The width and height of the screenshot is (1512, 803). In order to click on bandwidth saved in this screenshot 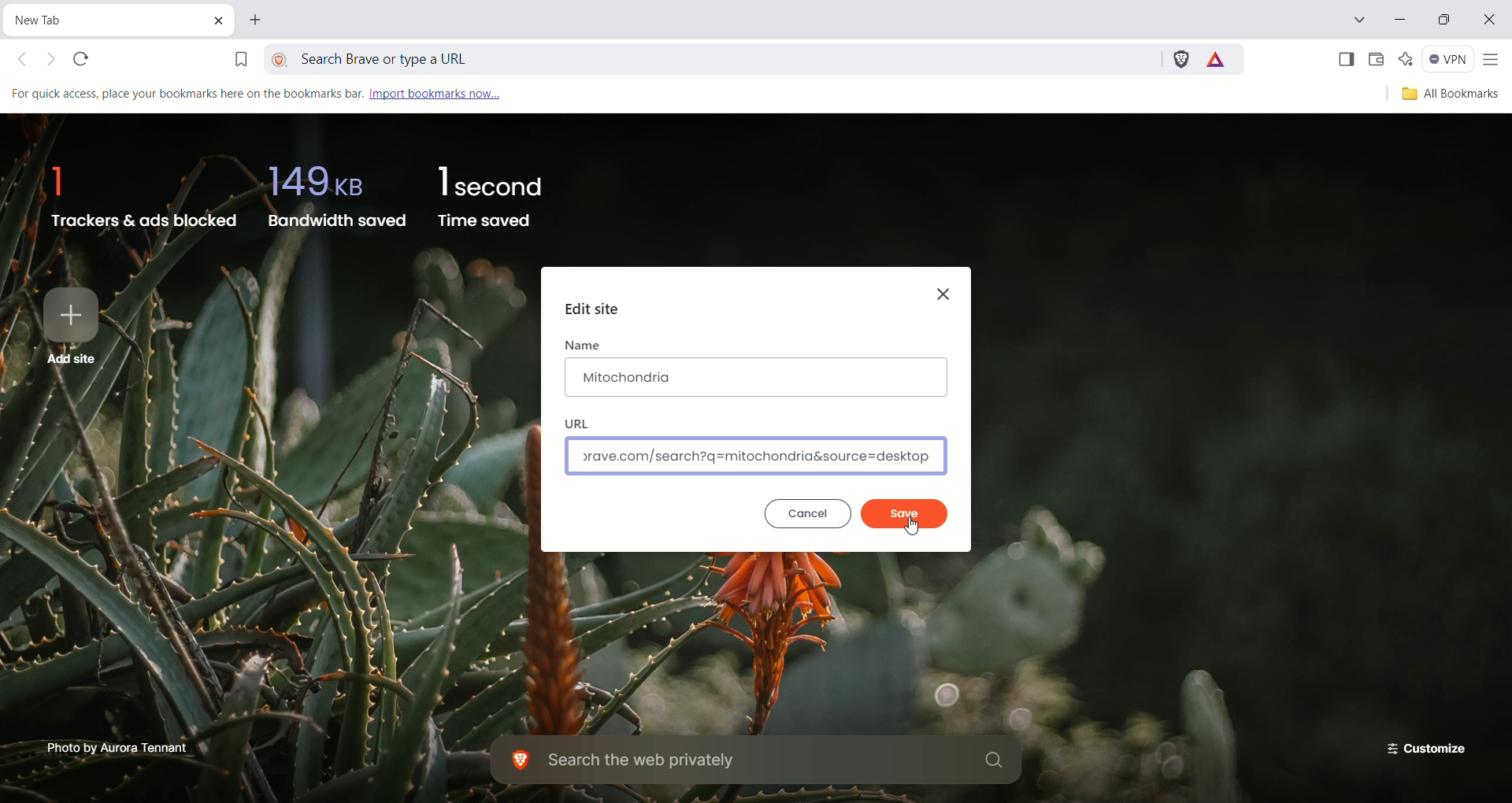, I will do `click(334, 193)`.